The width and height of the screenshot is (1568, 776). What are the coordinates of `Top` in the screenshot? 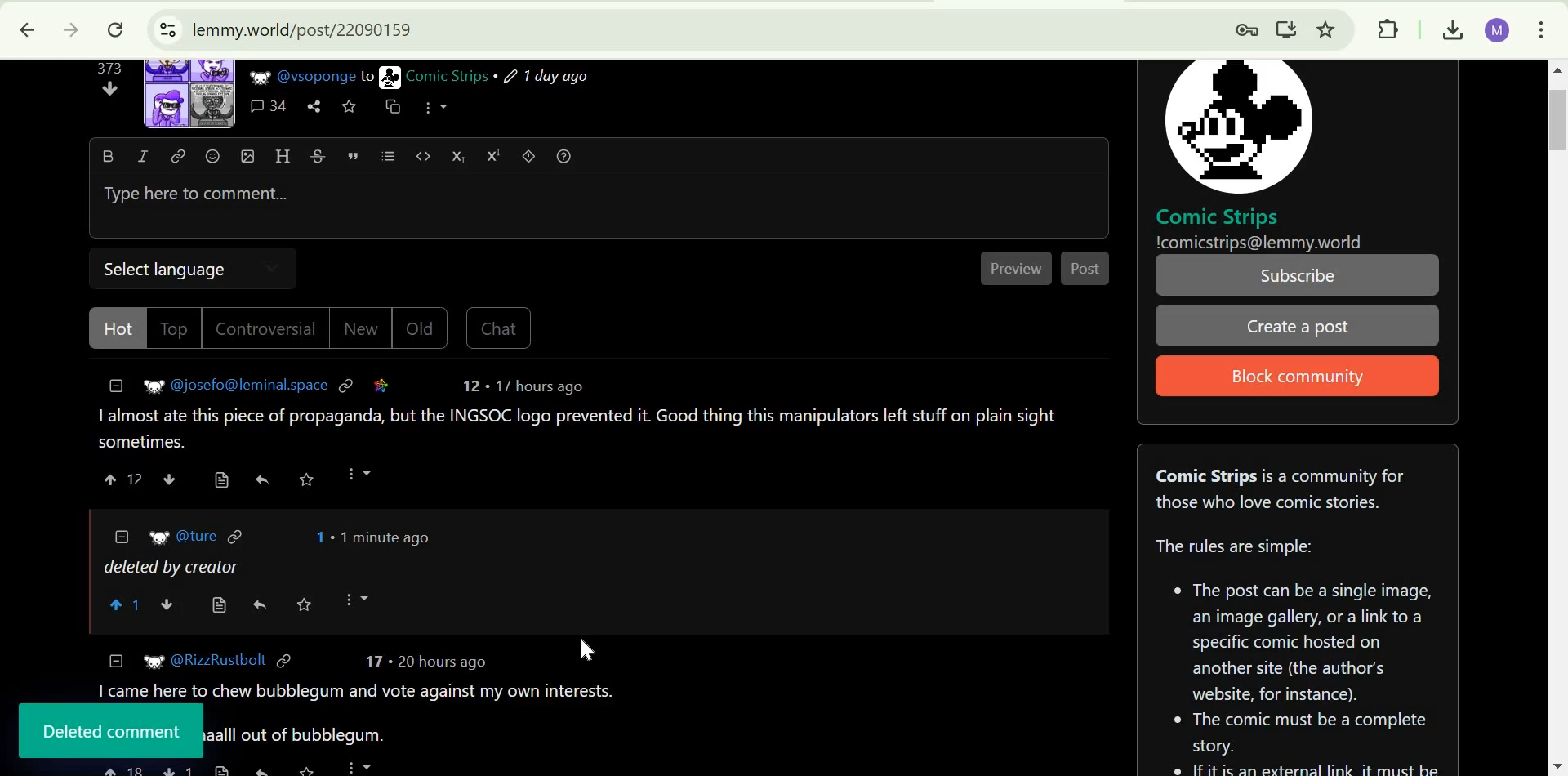 It's located at (176, 328).